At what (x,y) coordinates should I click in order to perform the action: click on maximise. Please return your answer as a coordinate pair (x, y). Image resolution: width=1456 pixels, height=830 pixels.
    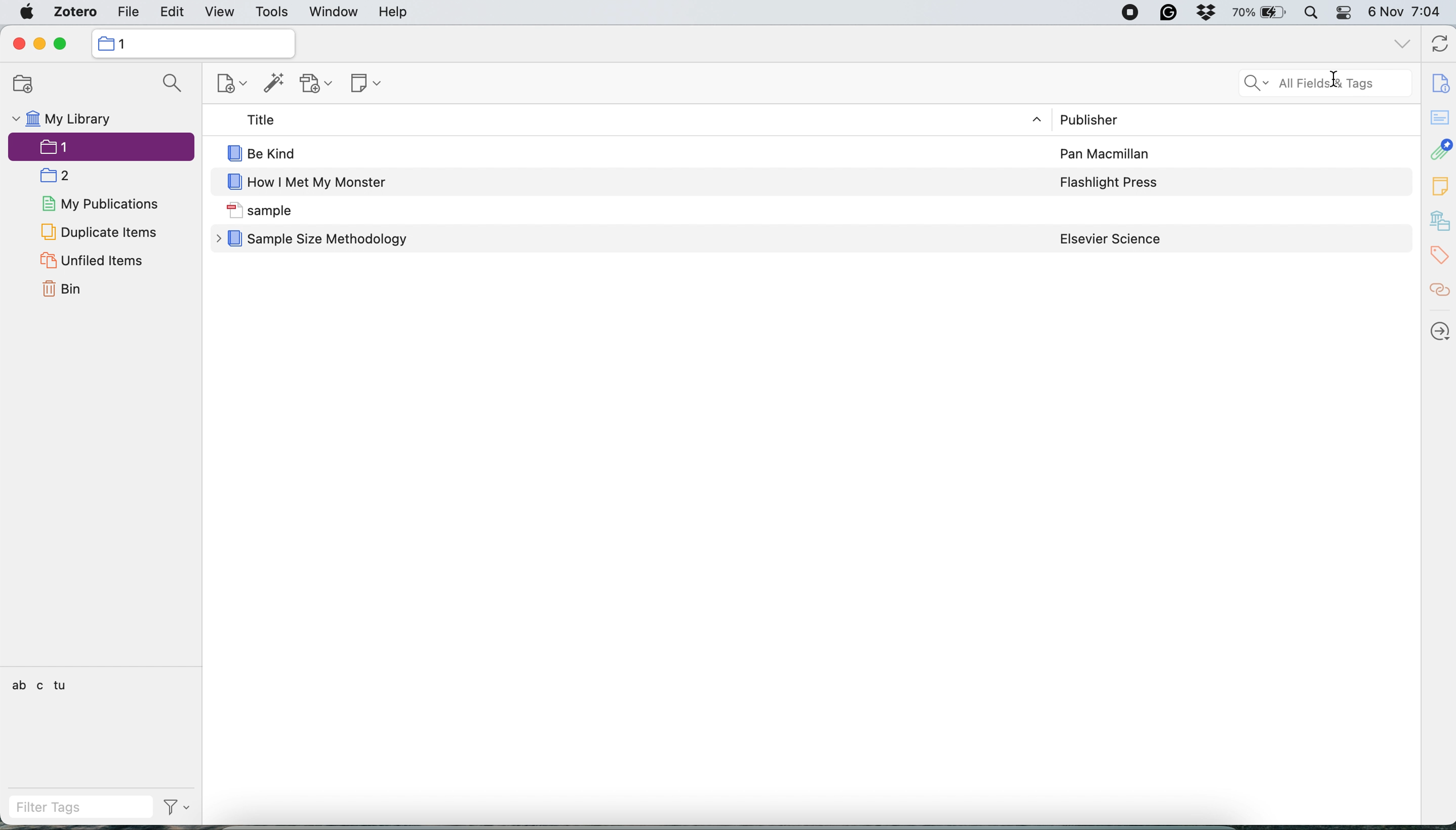
    Looking at the image, I should click on (63, 44).